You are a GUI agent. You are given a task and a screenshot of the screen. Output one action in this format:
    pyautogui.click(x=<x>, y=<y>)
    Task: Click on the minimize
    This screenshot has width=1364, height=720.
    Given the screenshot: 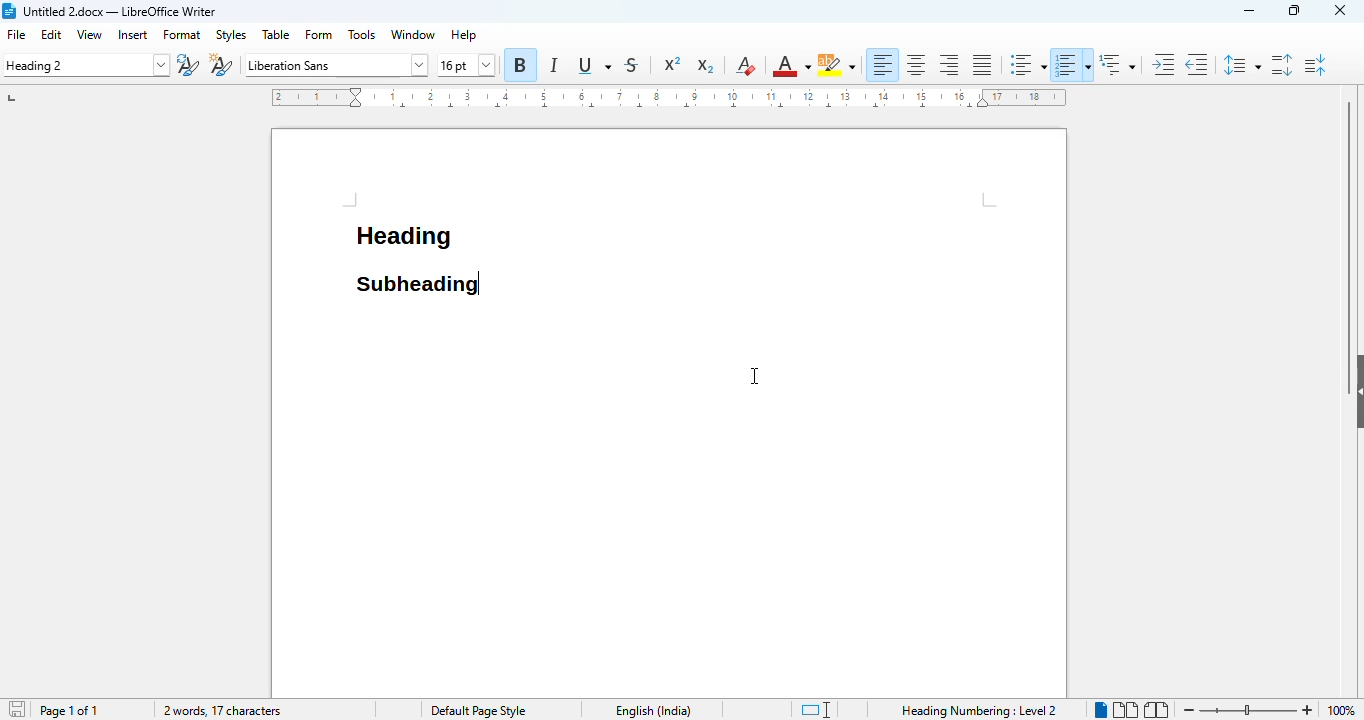 What is the action you would take?
    pyautogui.click(x=1251, y=11)
    